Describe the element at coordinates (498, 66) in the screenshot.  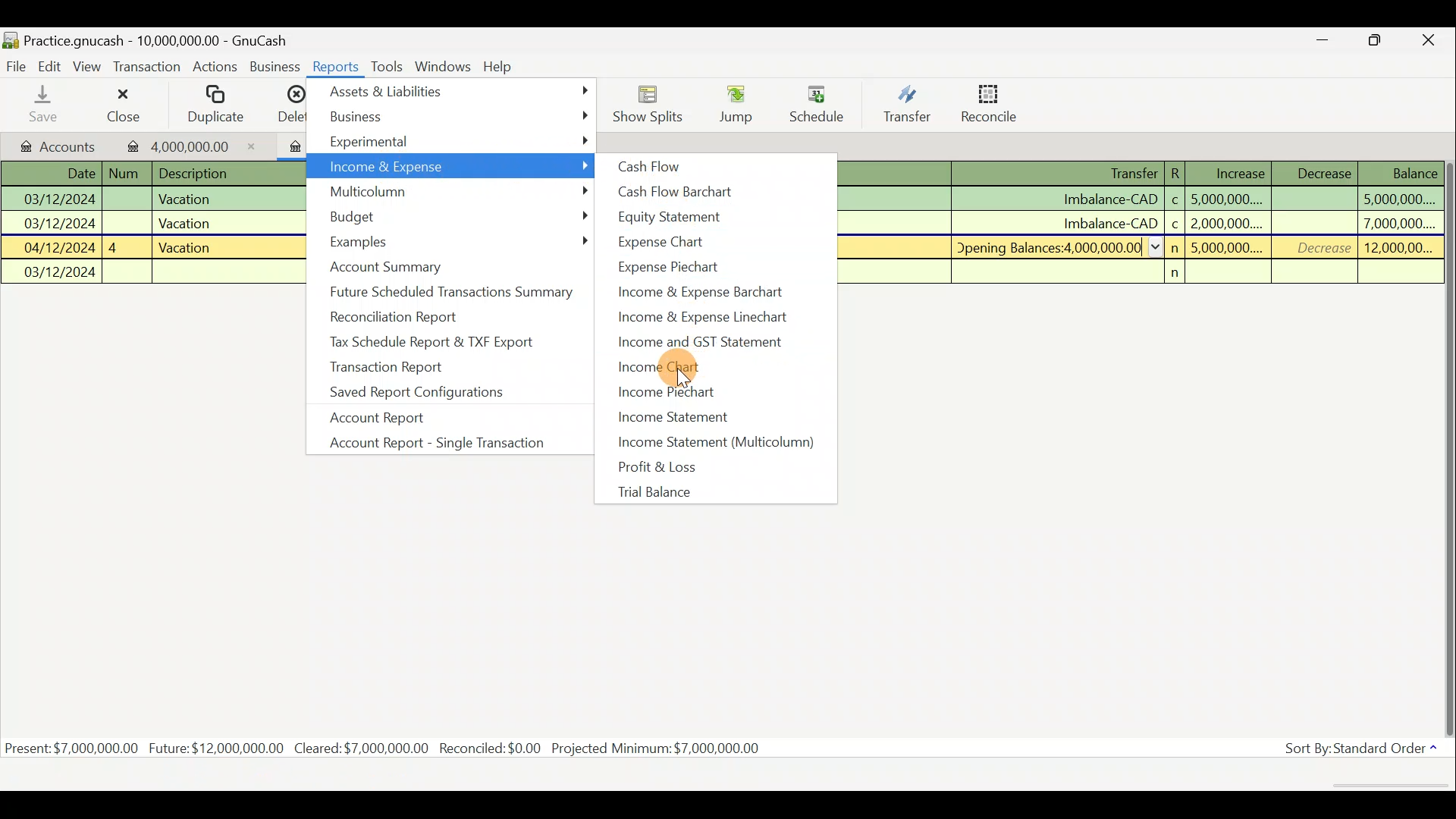
I see `Help` at that location.